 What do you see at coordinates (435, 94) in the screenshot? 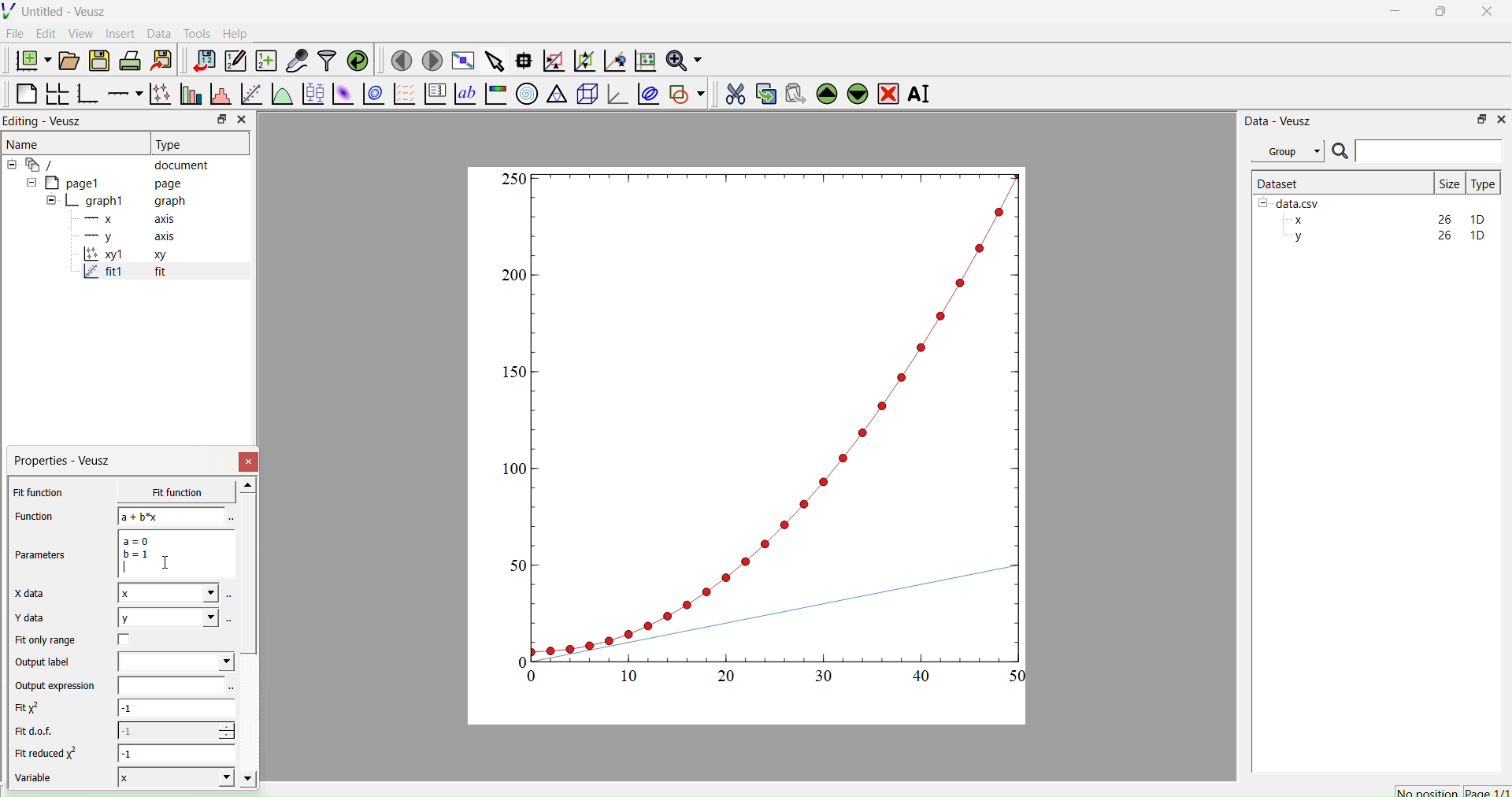
I see `Plot Key` at bounding box center [435, 94].